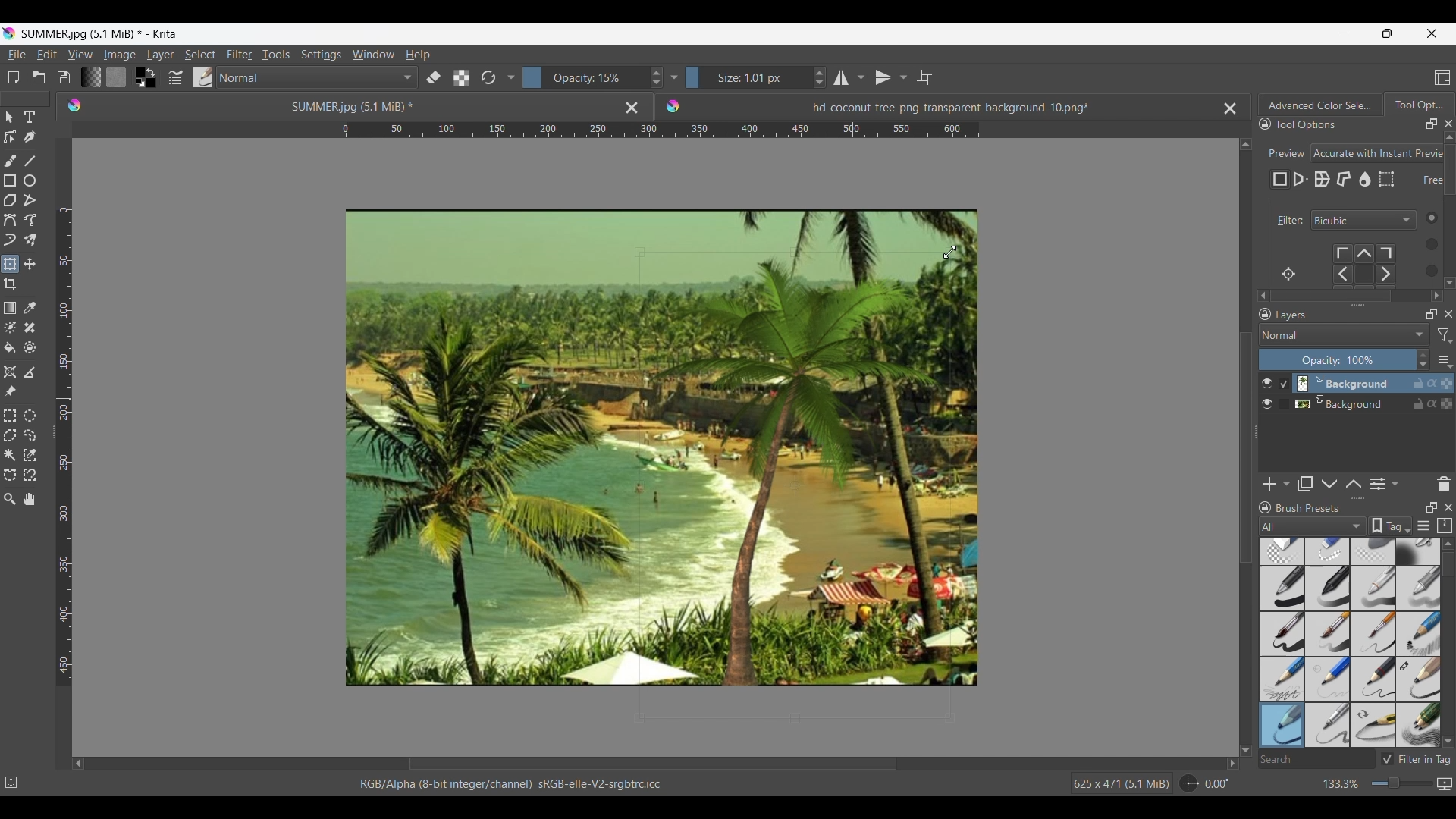 This screenshot has height=819, width=1456. What do you see at coordinates (10, 372) in the screenshot?
I see `Assistant tool` at bounding box center [10, 372].